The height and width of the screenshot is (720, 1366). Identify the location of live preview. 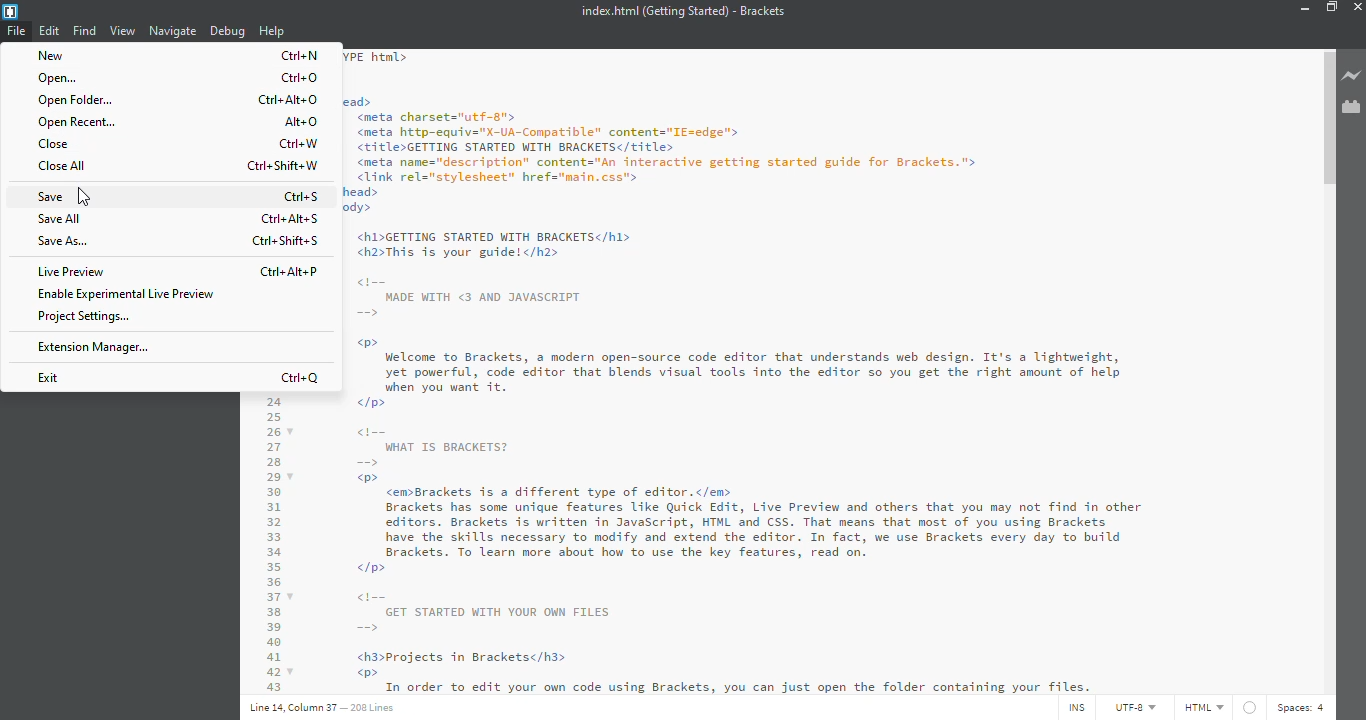
(1352, 74).